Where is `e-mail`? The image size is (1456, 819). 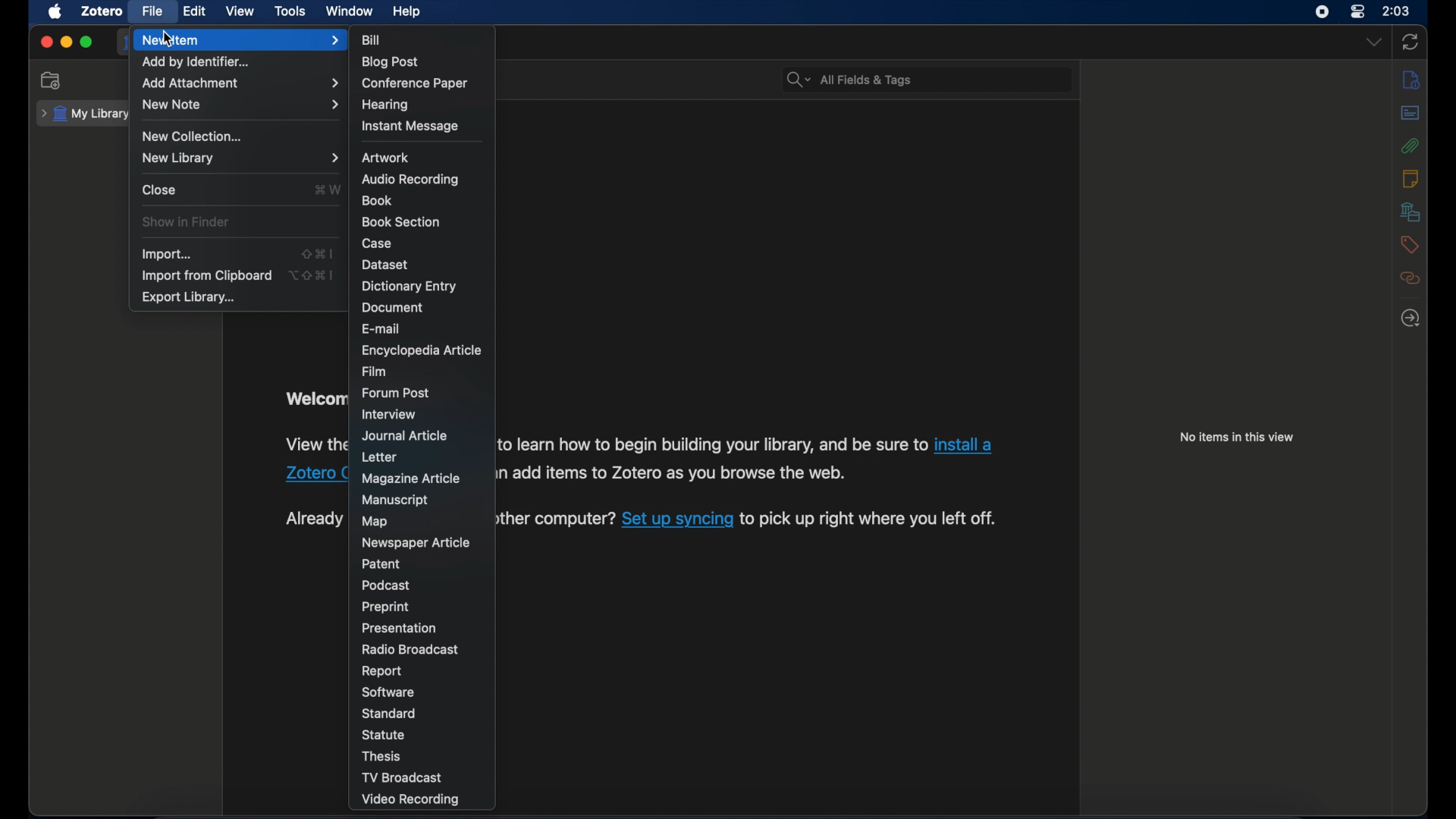
e-mail is located at coordinates (381, 329).